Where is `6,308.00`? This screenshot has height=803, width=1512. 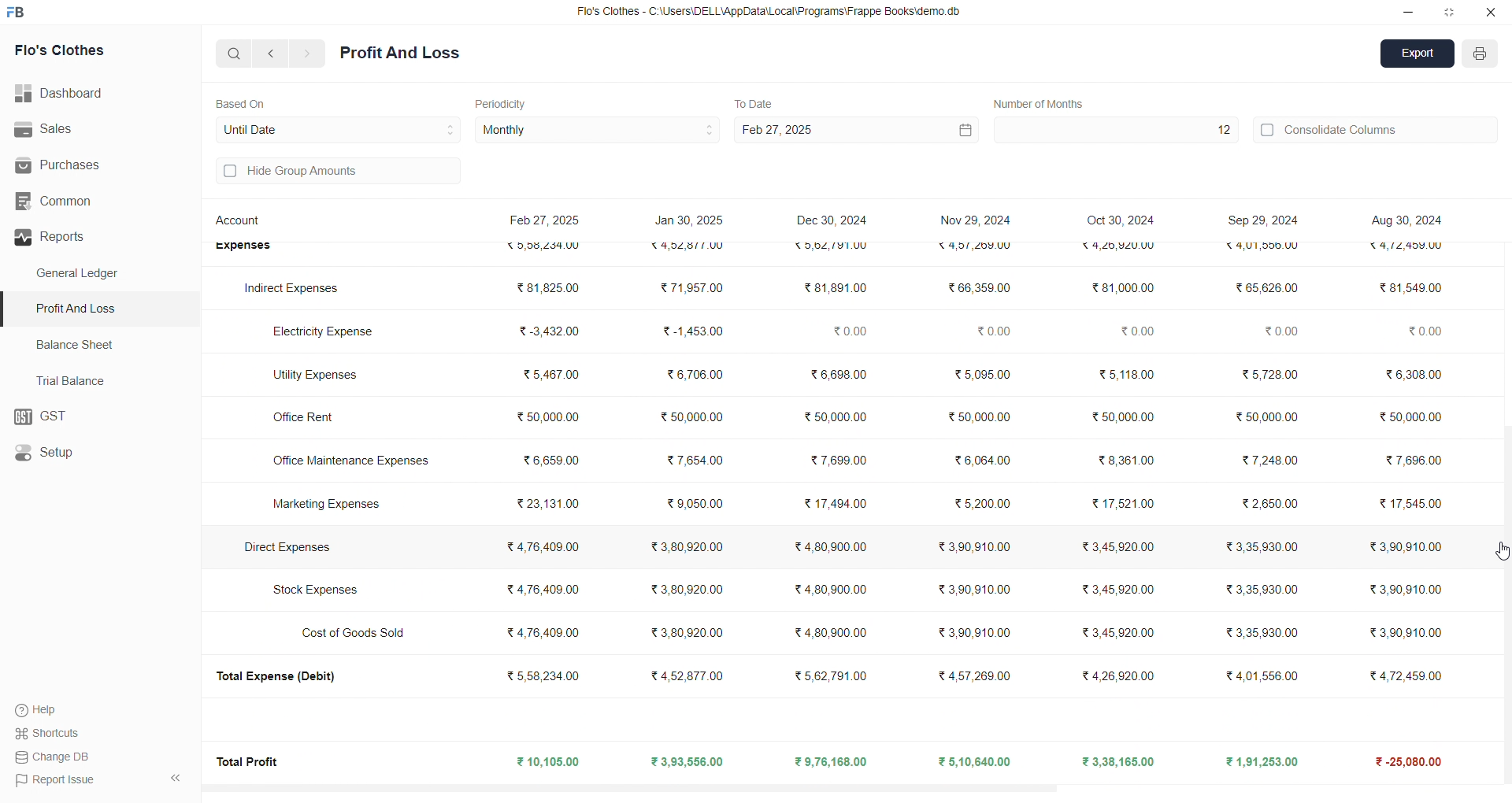 6,308.00 is located at coordinates (1408, 376).